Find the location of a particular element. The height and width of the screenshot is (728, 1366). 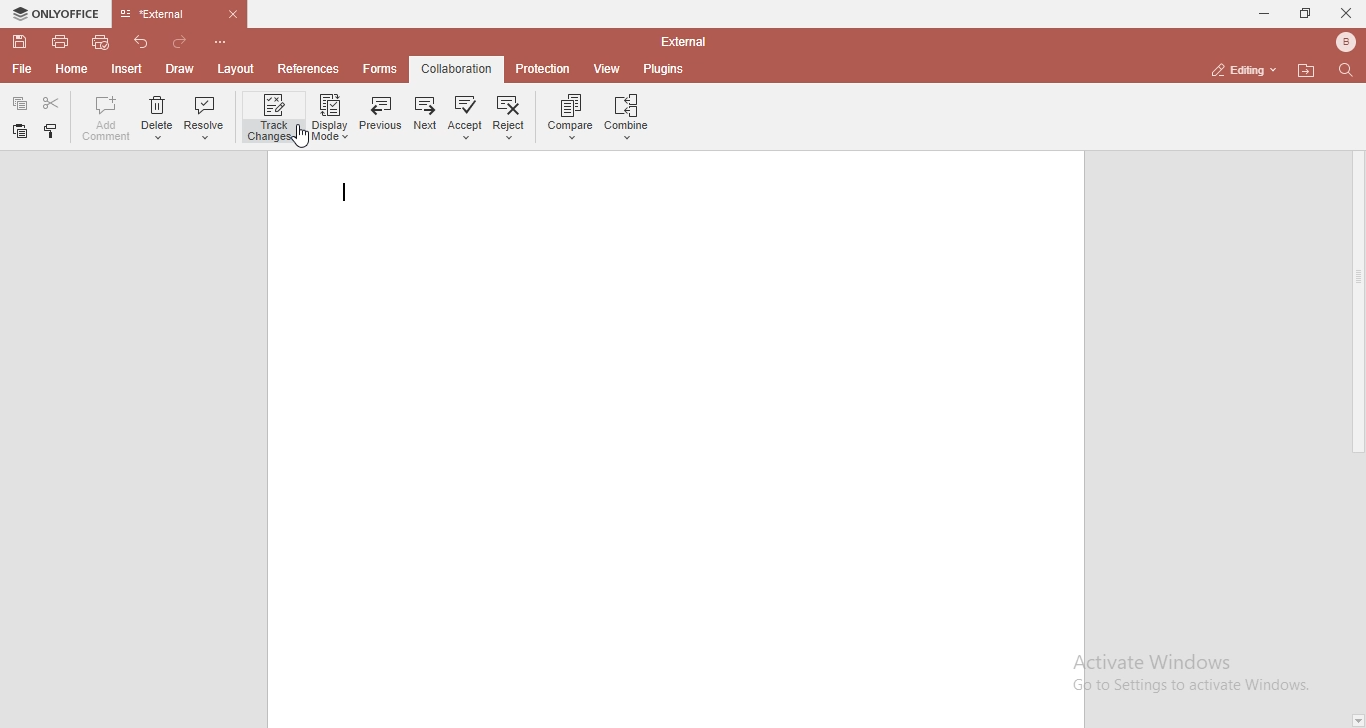

redo is located at coordinates (180, 42).